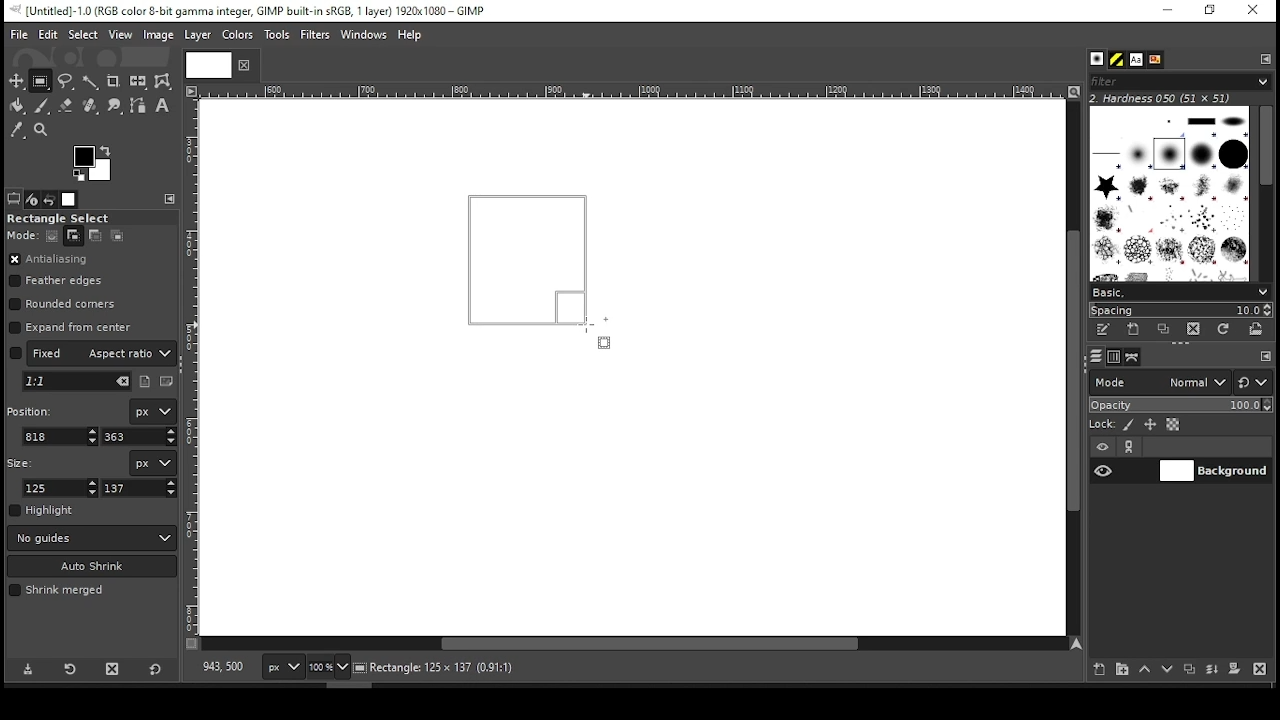  What do you see at coordinates (172, 199) in the screenshot?
I see `configure this tab` at bounding box center [172, 199].